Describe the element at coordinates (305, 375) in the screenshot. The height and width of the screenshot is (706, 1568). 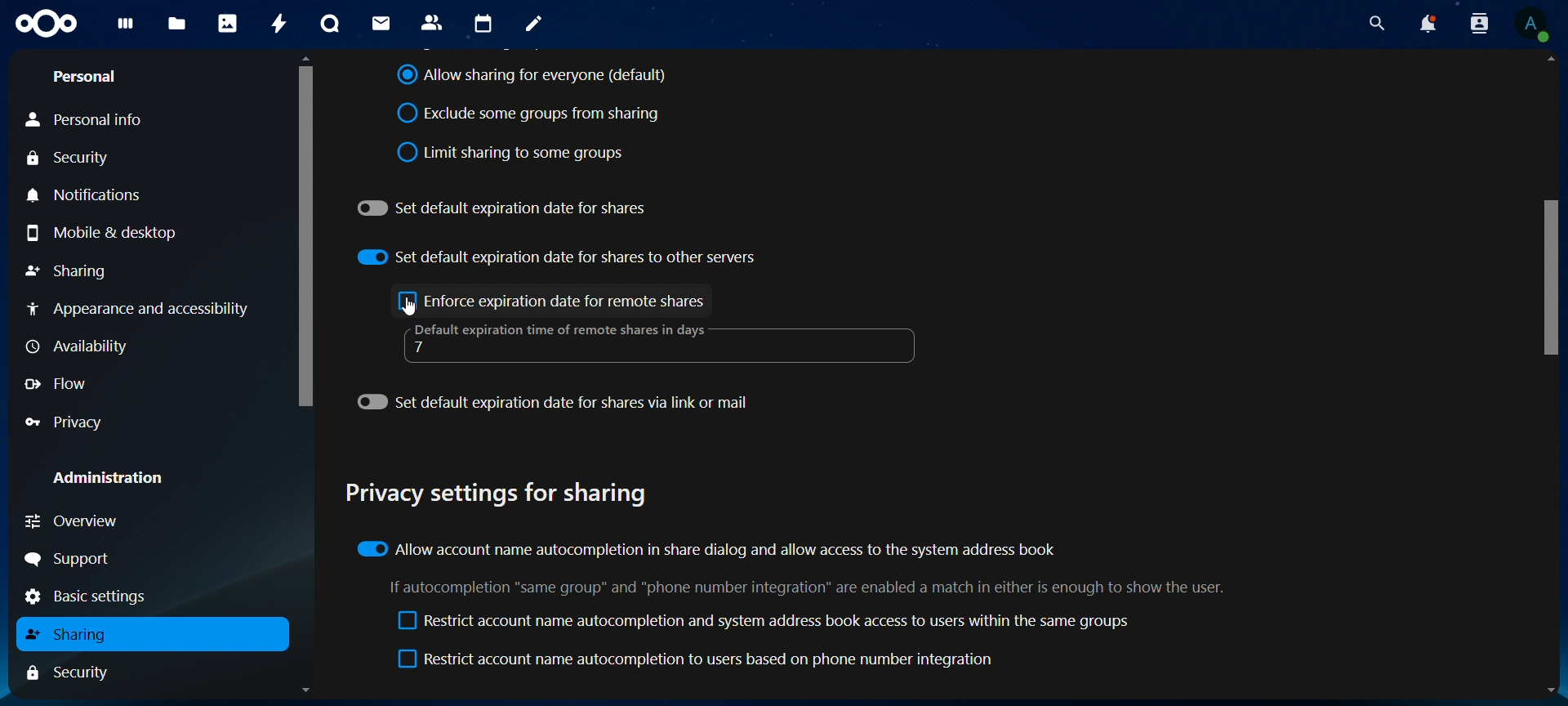
I see `Scrollbar` at that location.